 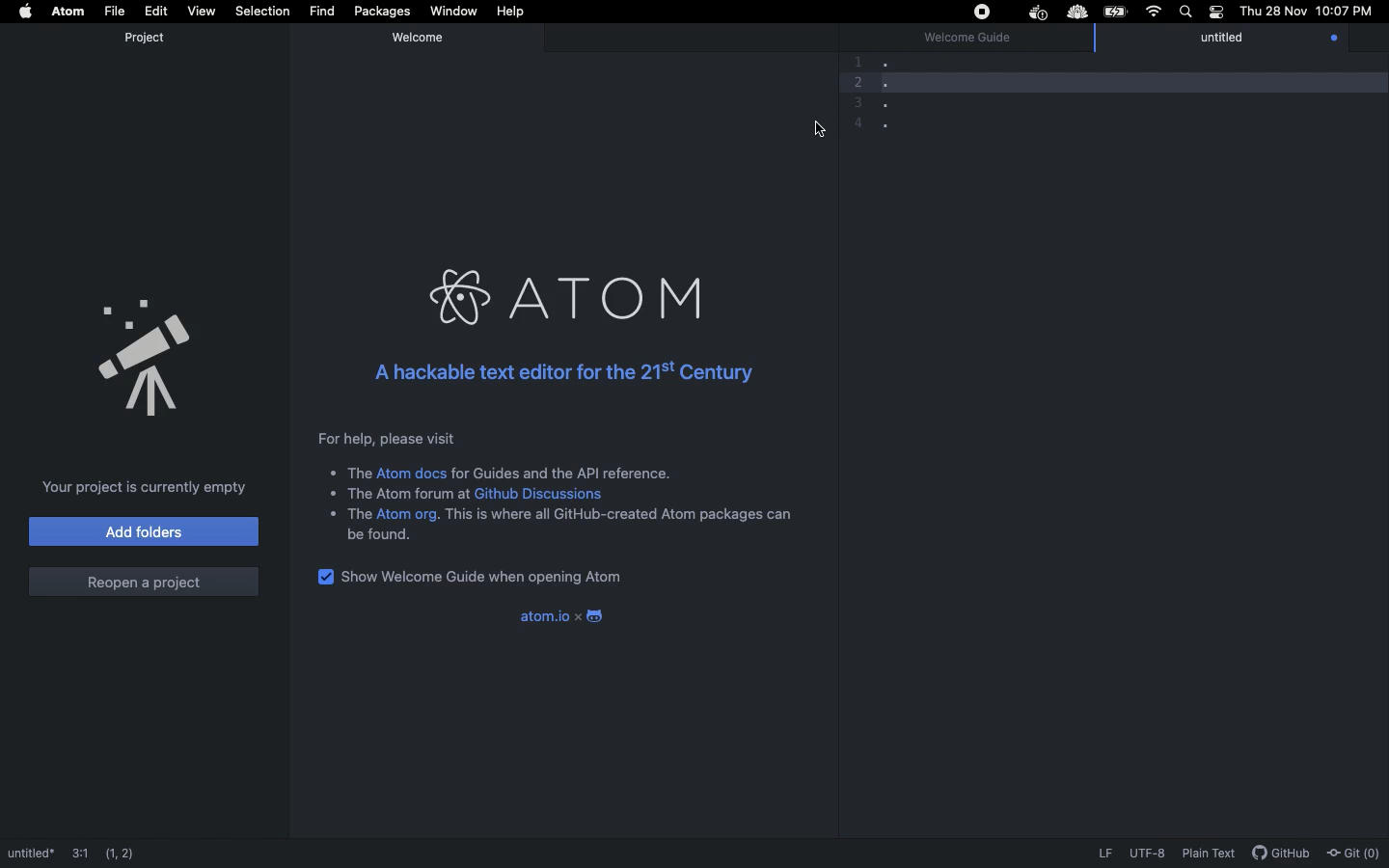 I want to click on Edit, so click(x=155, y=11).